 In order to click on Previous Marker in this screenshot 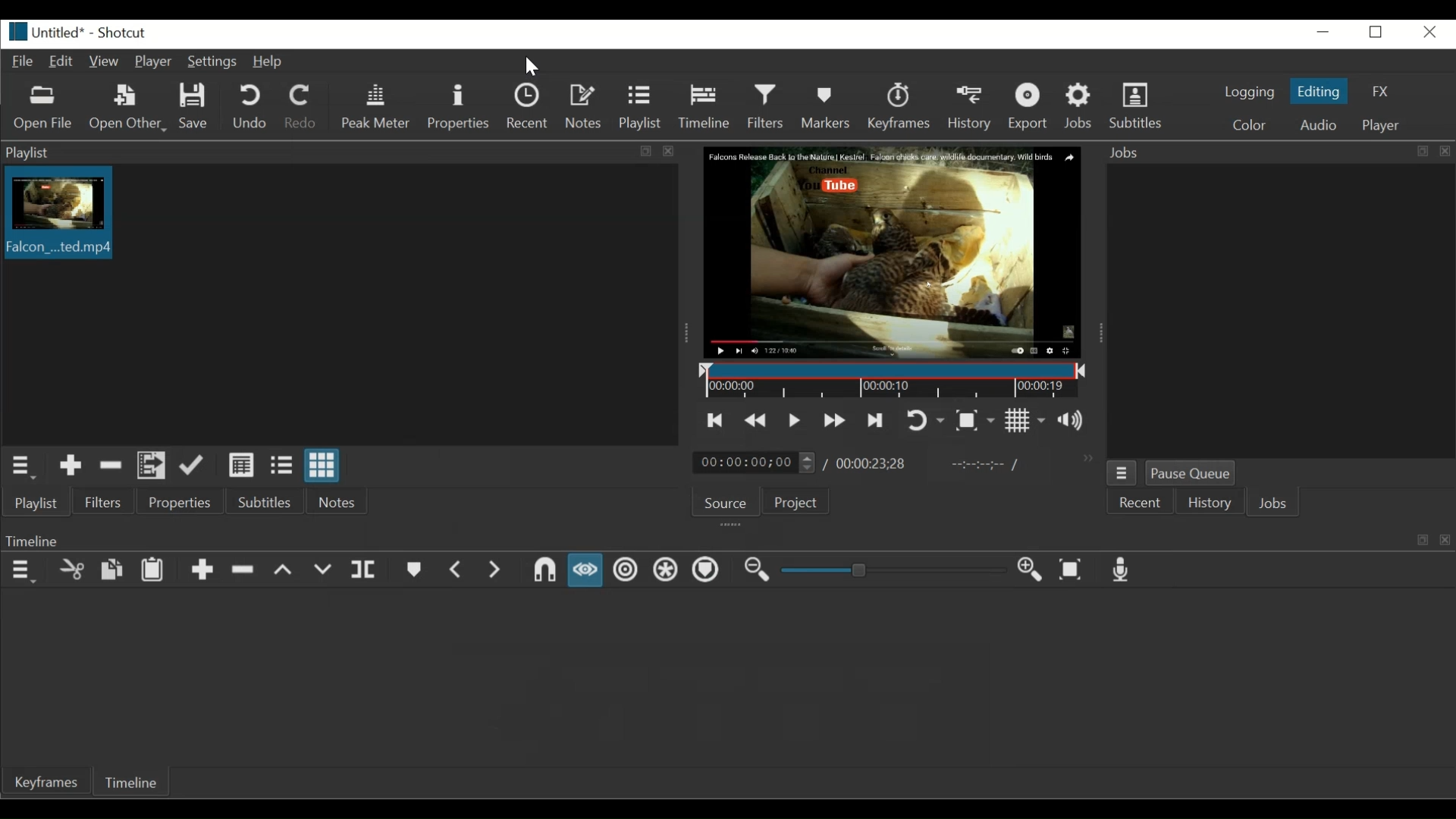, I will do `click(457, 570)`.